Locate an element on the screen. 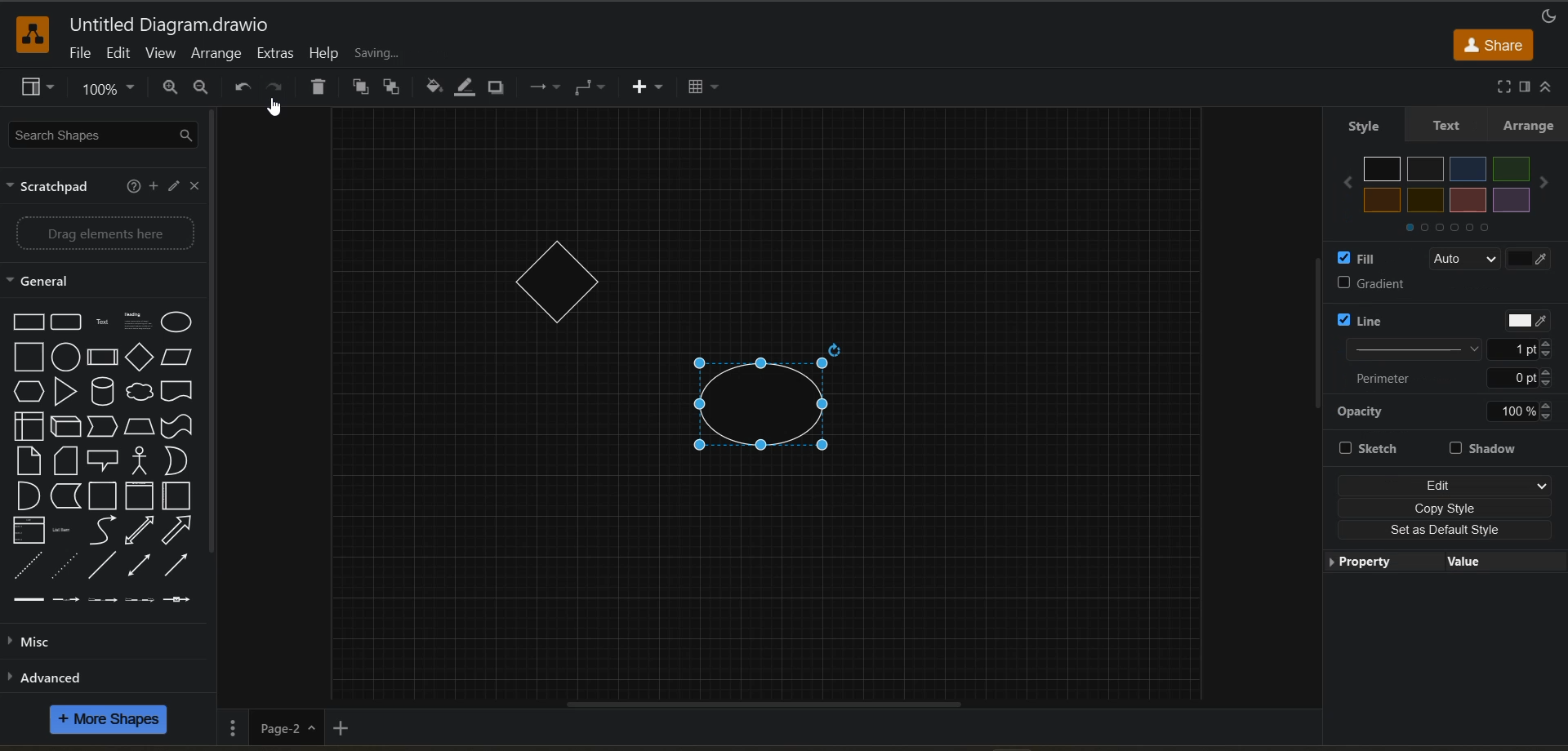  callout is located at coordinates (102, 461).